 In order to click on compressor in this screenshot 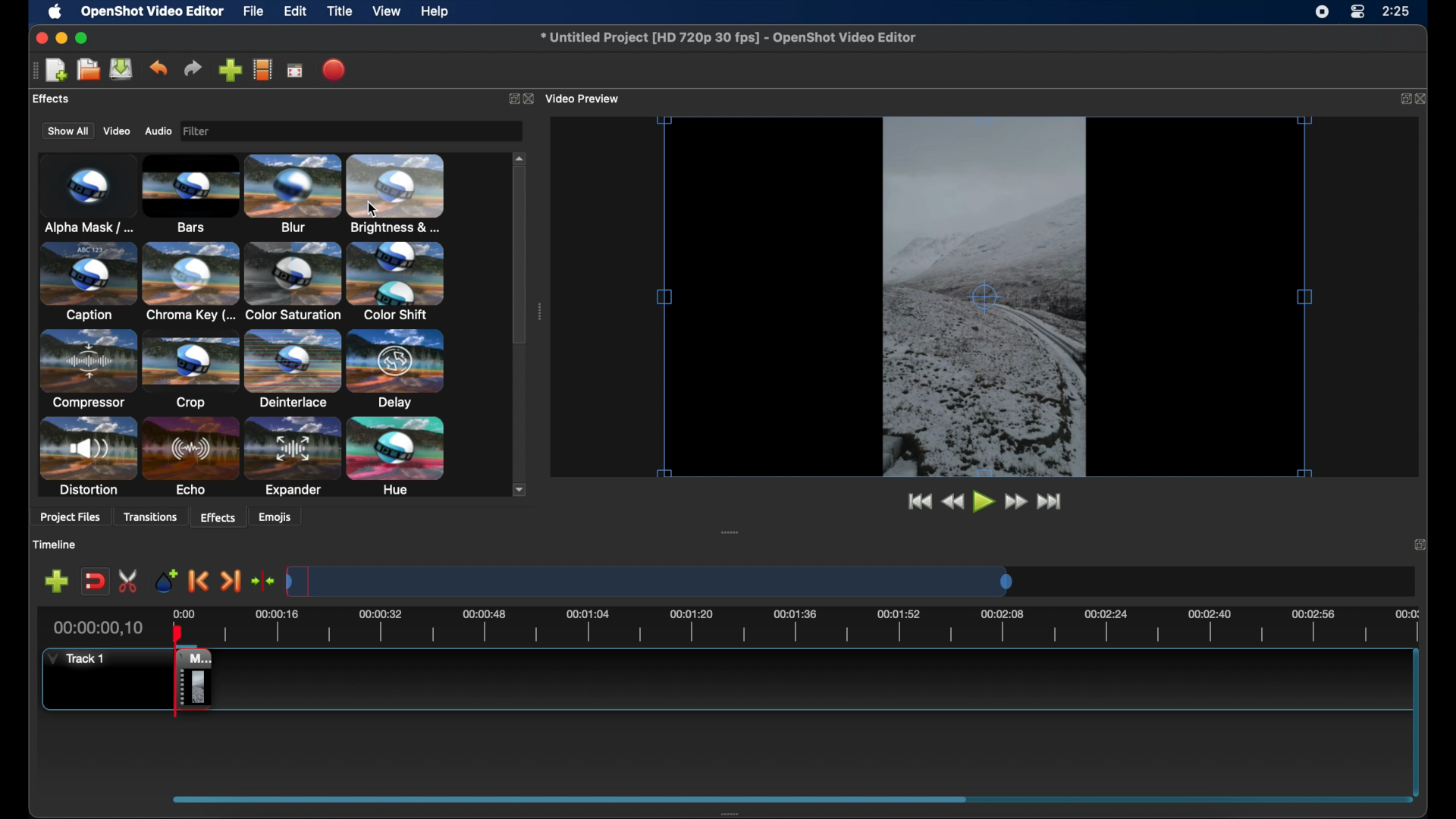, I will do `click(86, 369)`.